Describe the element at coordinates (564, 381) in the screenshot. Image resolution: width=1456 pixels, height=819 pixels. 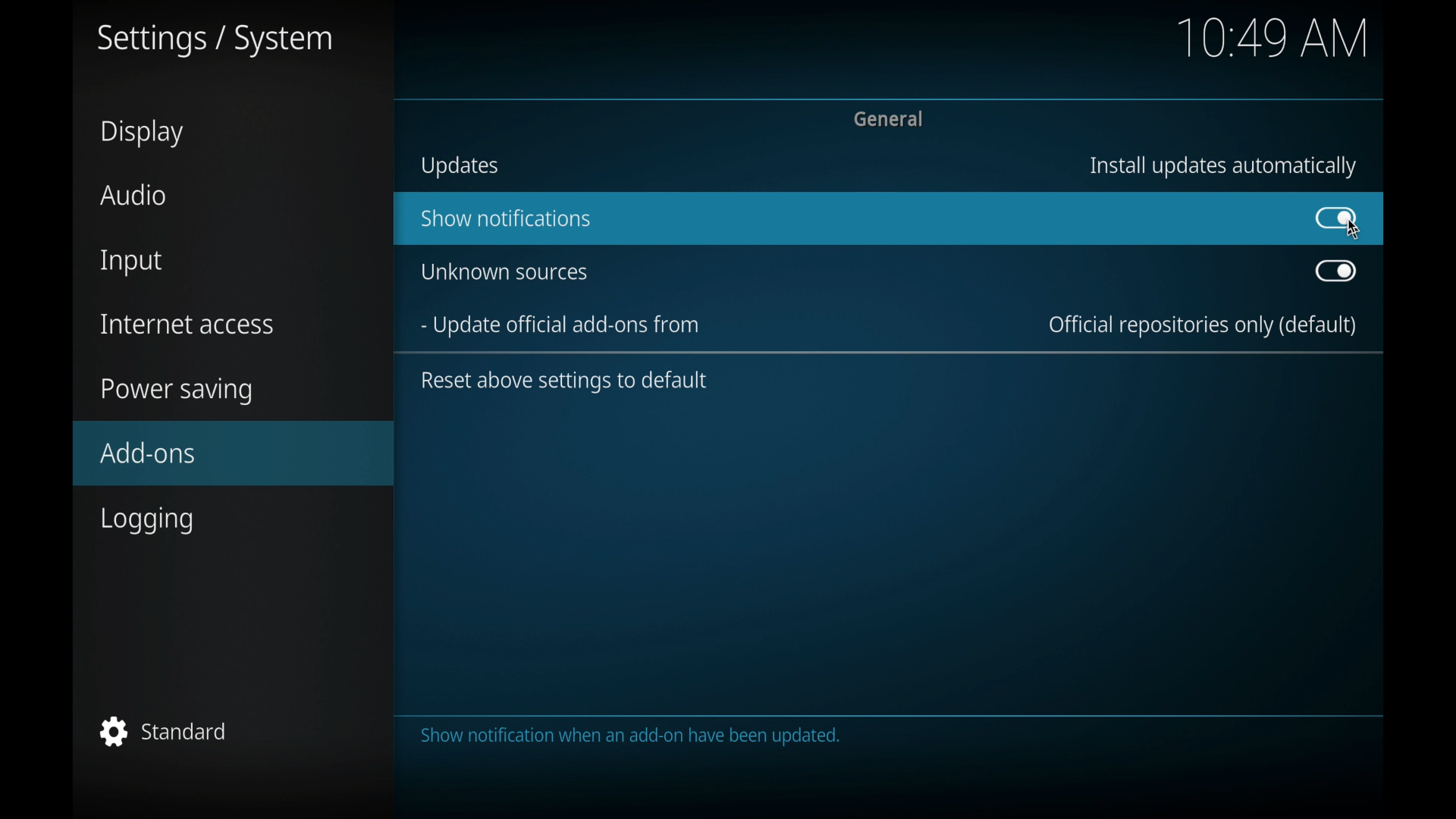
I see `reset above settings to default` at that location.